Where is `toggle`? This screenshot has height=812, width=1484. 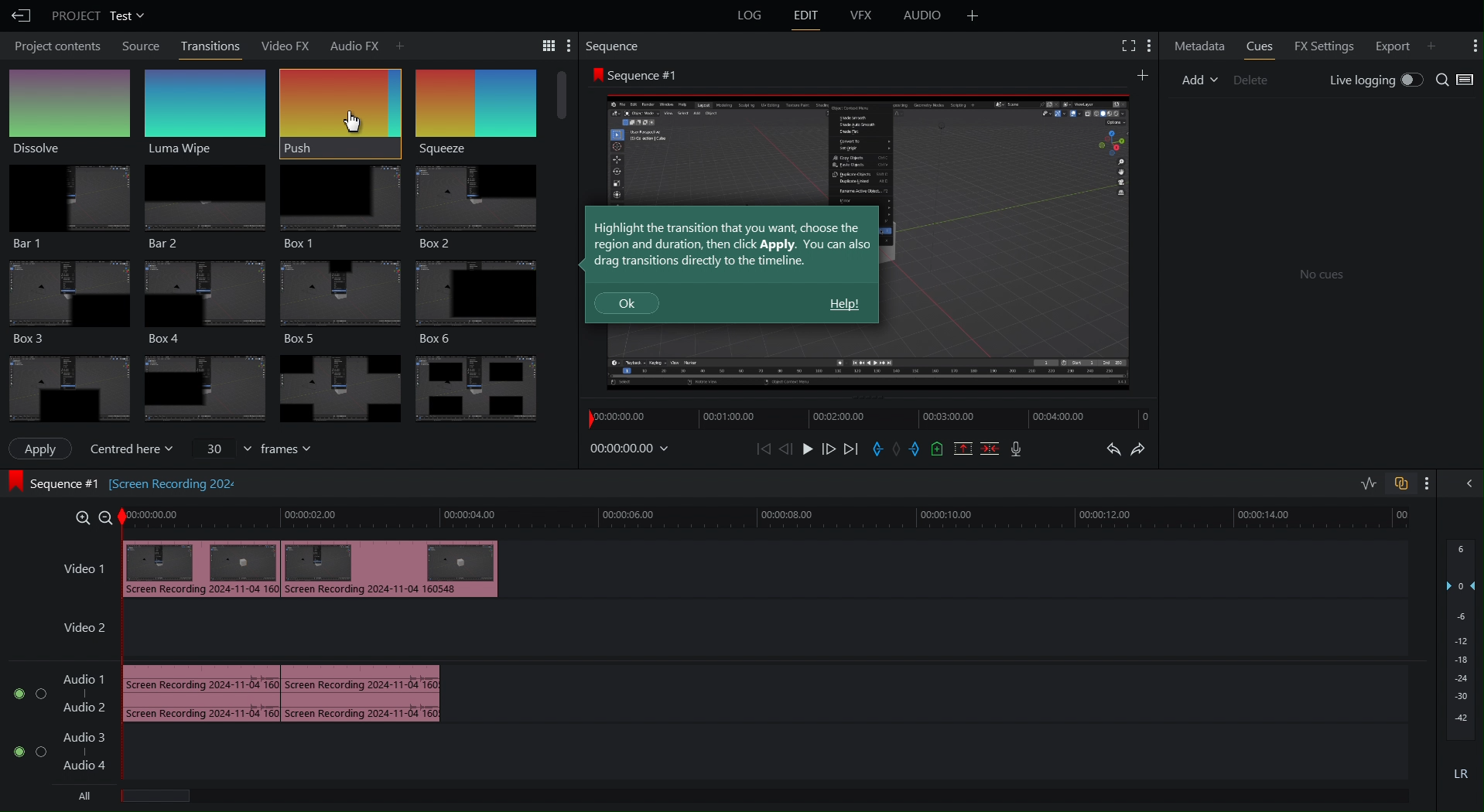 toggle is located at coordinates (14, 698).